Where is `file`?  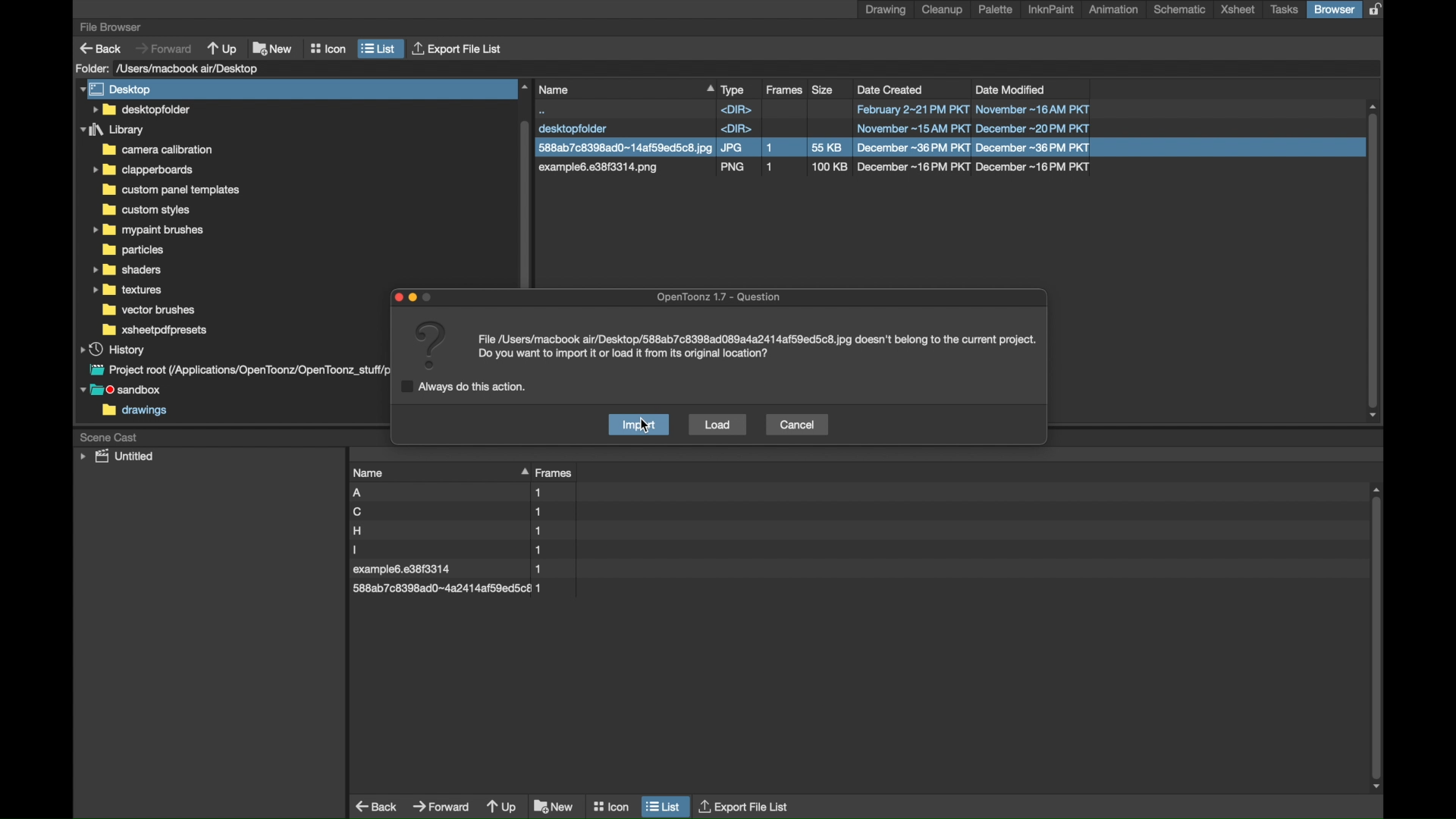 file is located at coordinates (447, 531).